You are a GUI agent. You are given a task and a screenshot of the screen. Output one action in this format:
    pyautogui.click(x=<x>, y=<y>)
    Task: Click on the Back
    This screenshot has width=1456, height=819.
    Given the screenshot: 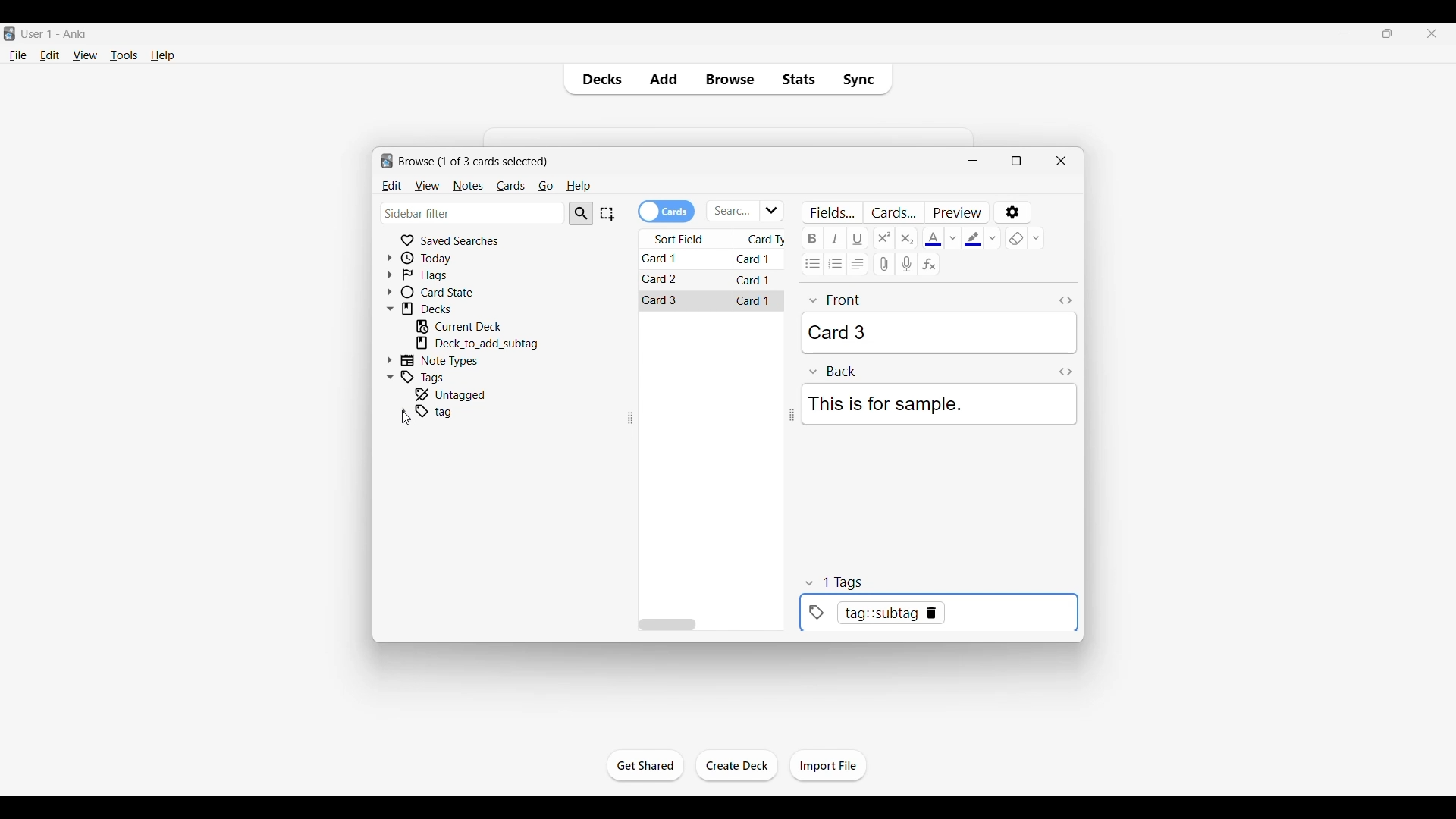 What is the action you would take?
    pyautogui.click(x=833, y=372)
    